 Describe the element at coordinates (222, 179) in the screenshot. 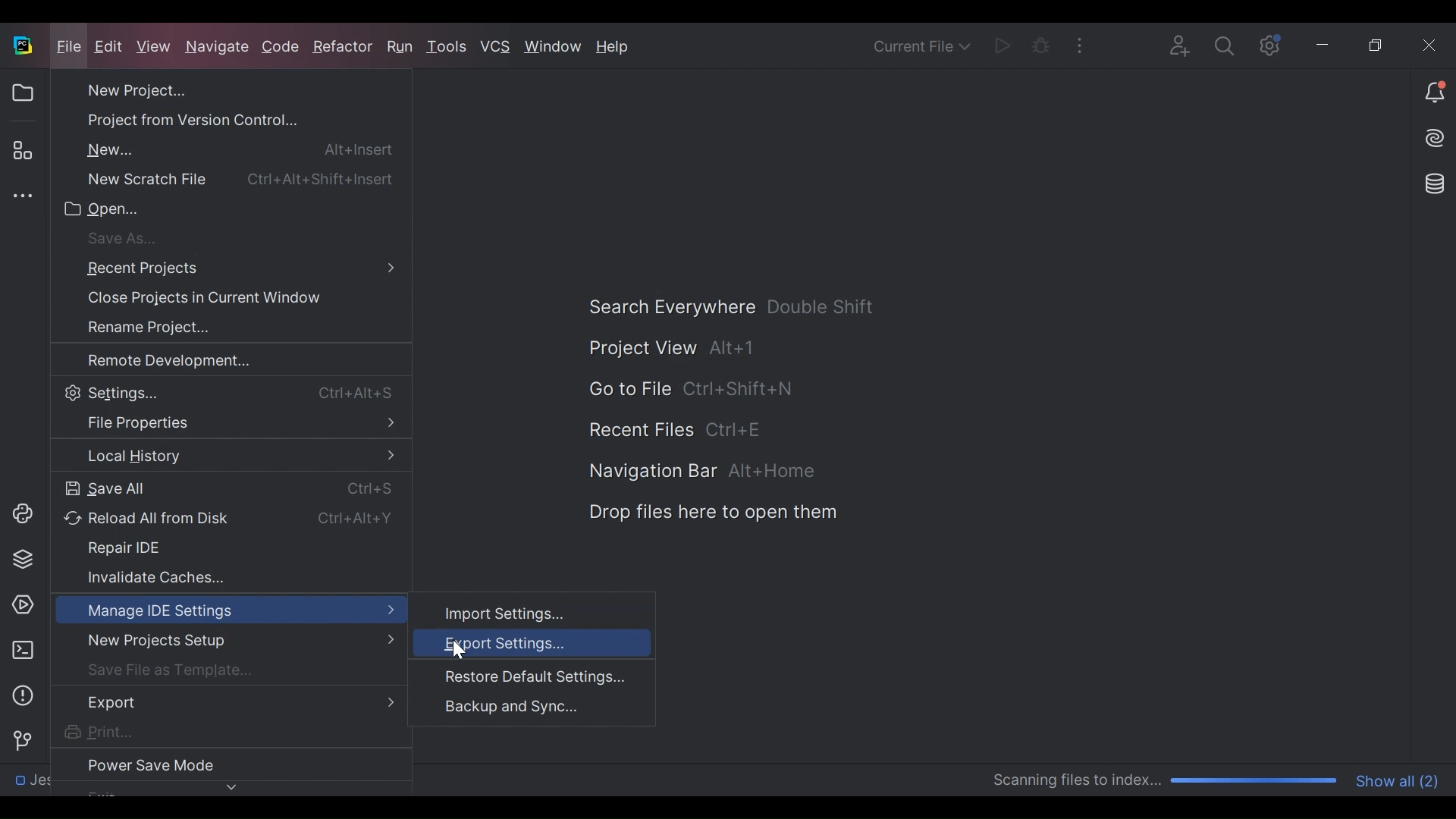

I see `New Scratch file` at that location.